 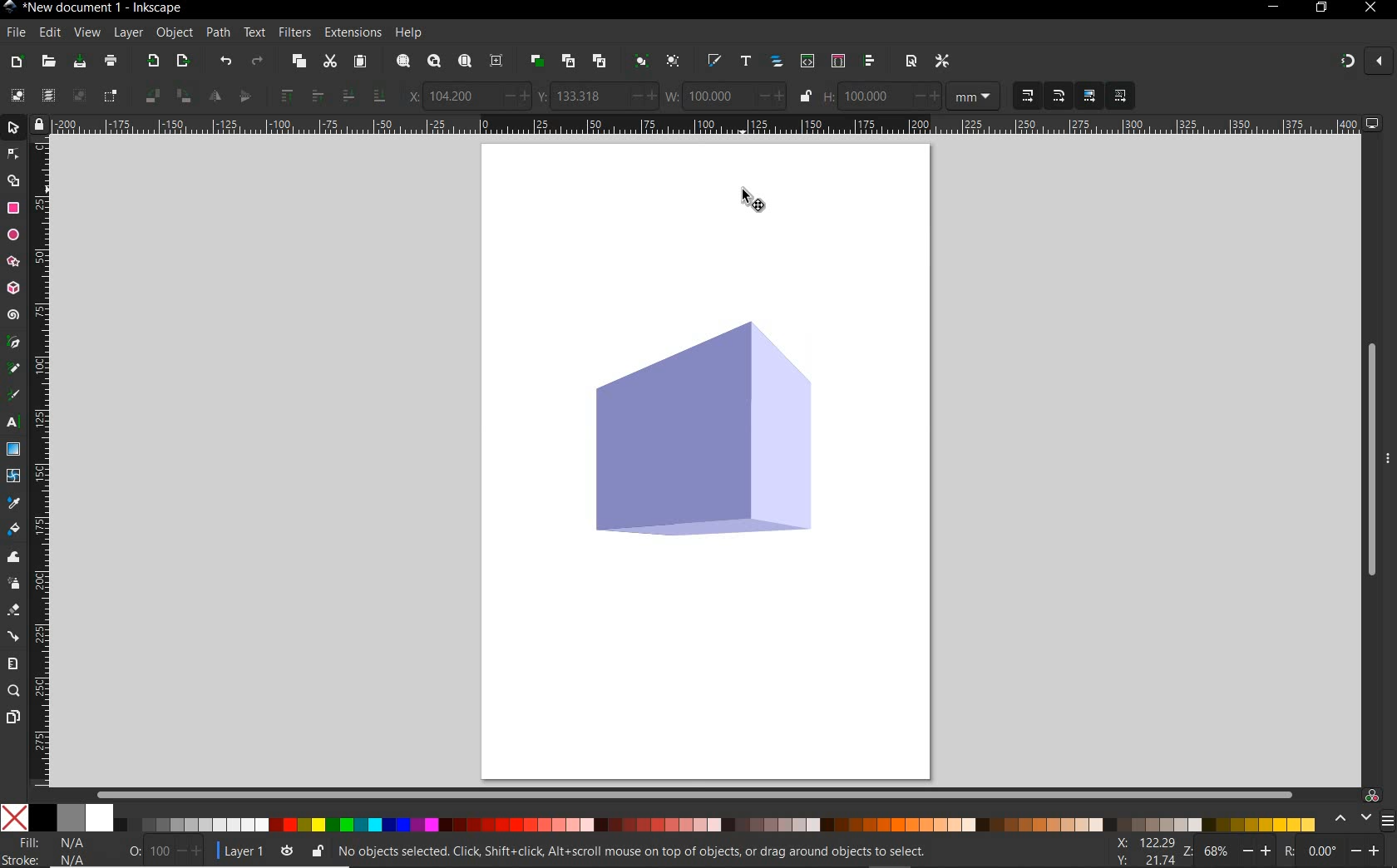 I want to click on when scaling, so click(x=1059, y=96).